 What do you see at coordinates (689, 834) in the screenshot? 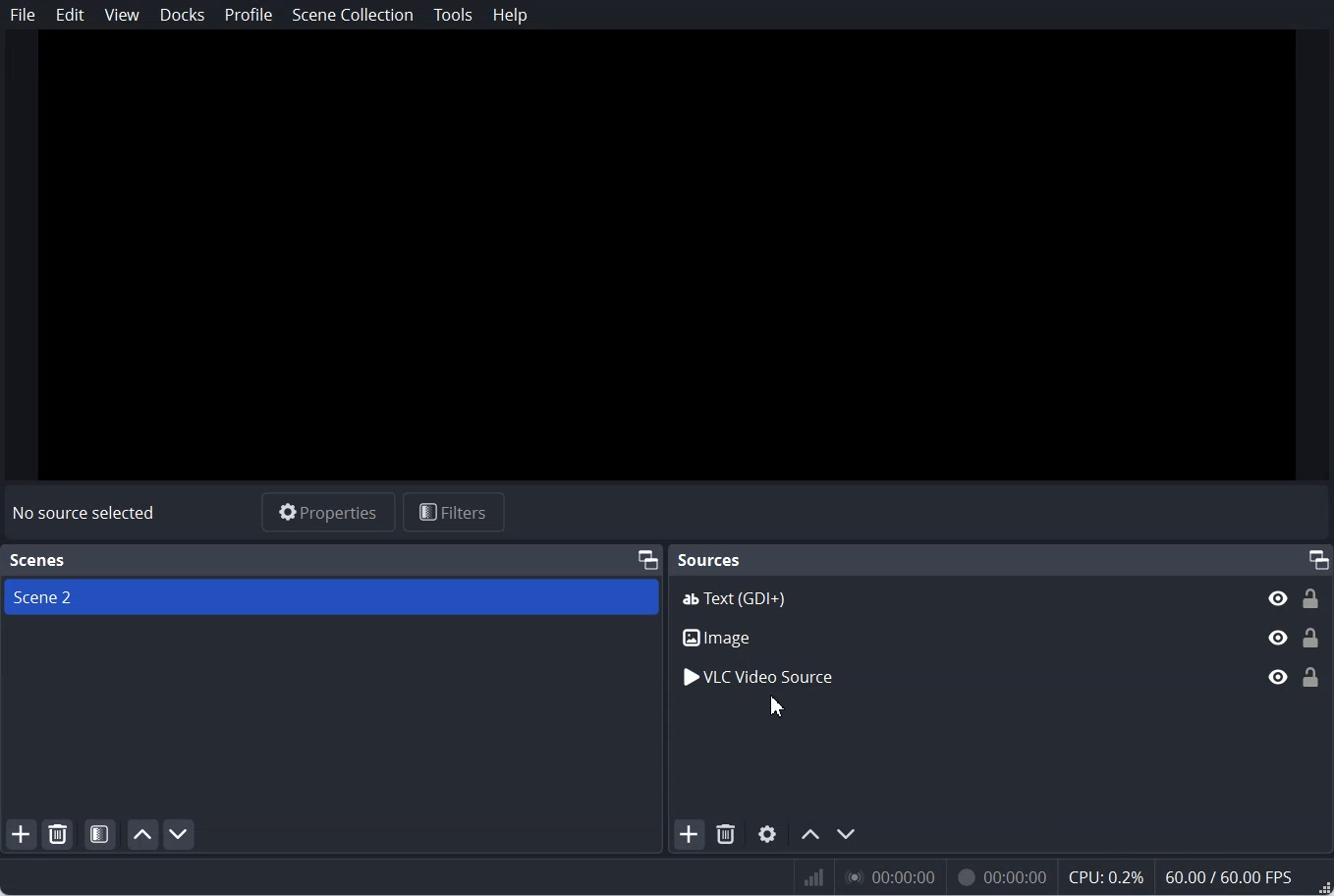
I see `Add Source` at bounding box center [689, 834].